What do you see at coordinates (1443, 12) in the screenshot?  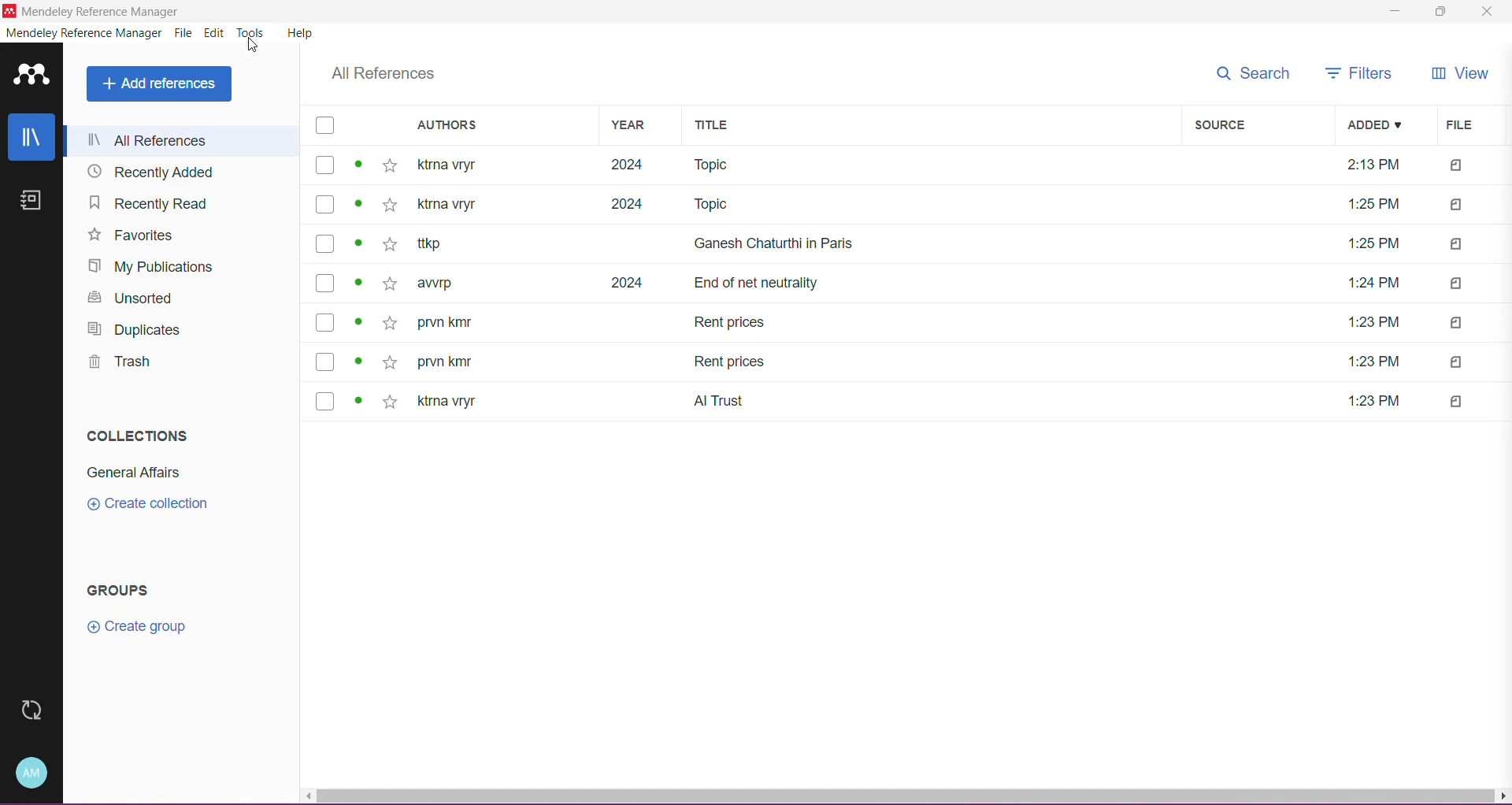 I see `Restore Down` at bounding box center [1443, 12].